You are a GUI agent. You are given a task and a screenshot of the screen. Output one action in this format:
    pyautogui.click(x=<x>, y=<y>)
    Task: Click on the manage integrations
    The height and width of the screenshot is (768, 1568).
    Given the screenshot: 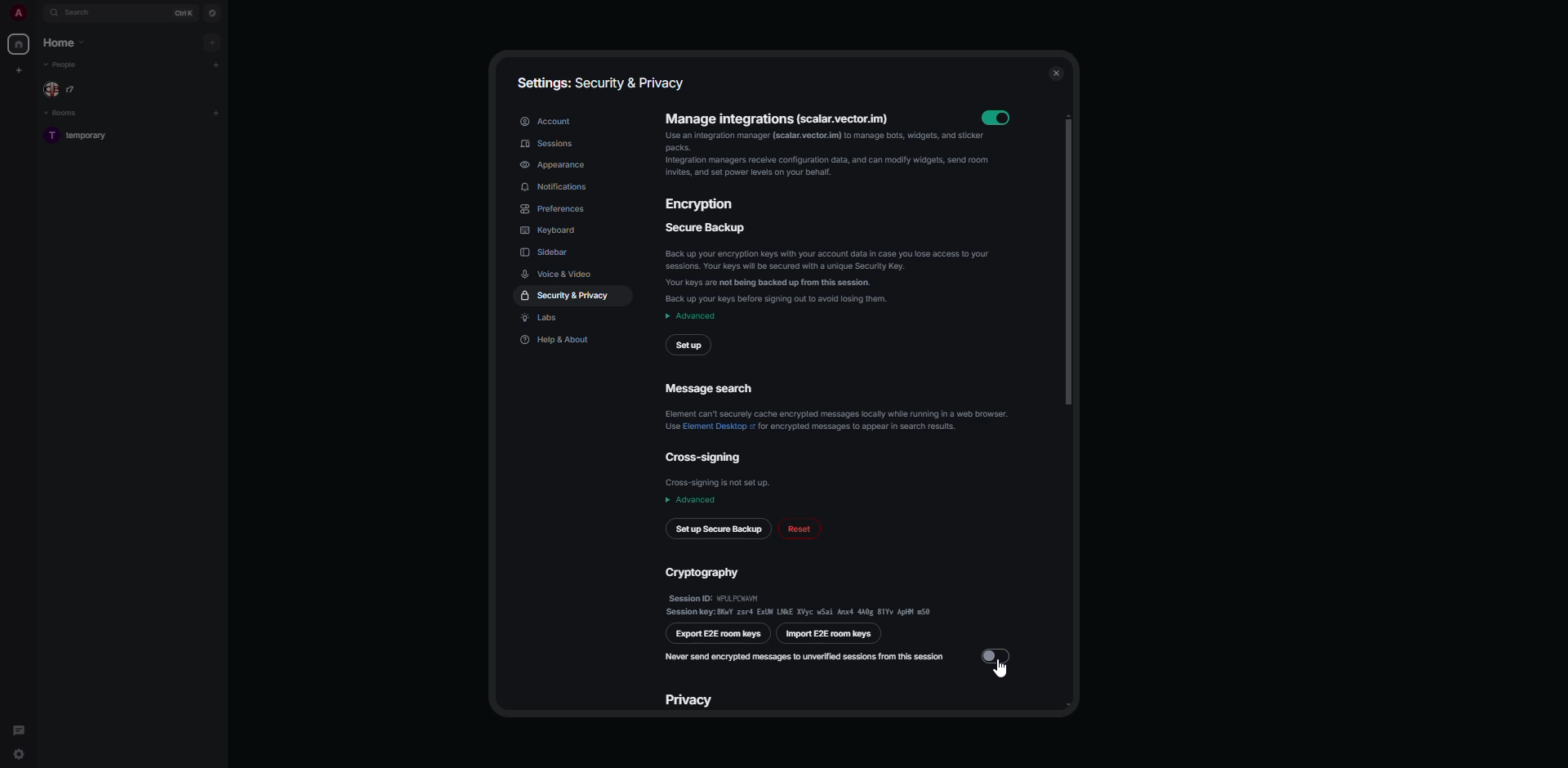 What is the action you would take?
    pyautogui.click(x=819, y=146)
    